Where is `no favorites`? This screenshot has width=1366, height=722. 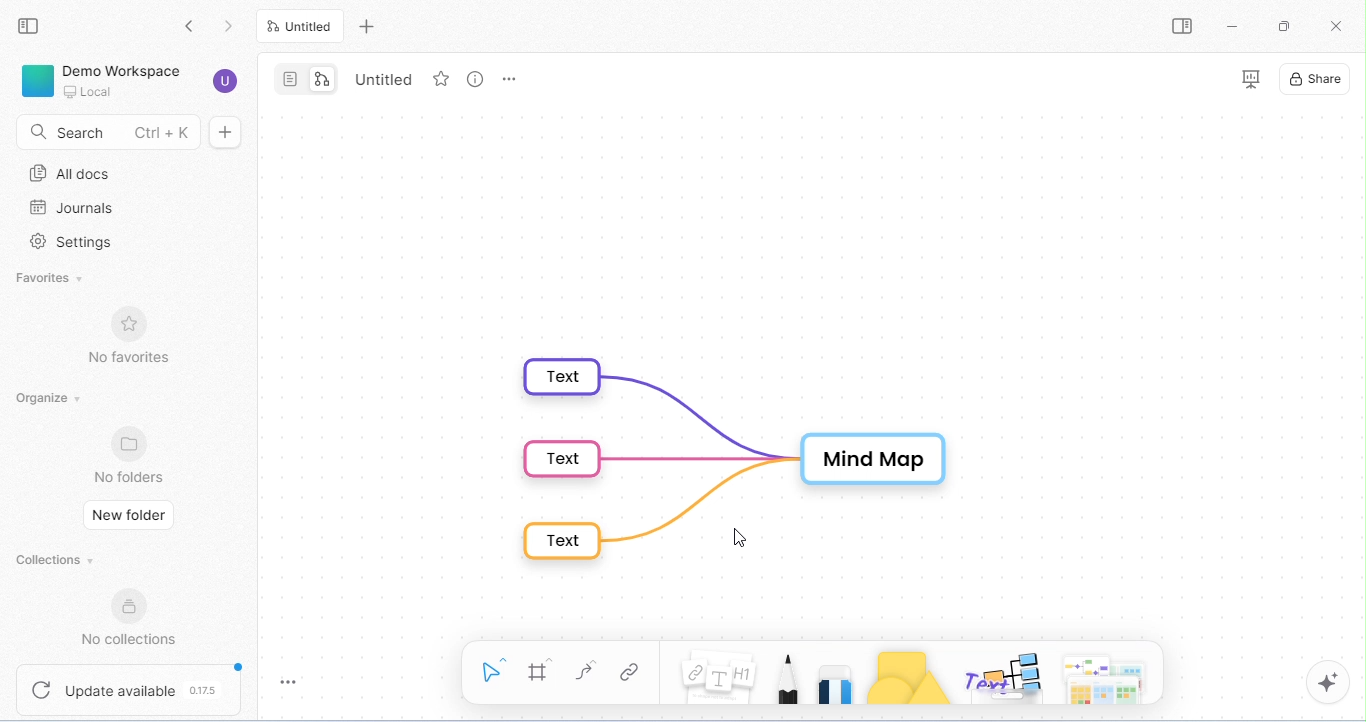 no favorites is located at coordinates (132, 336).